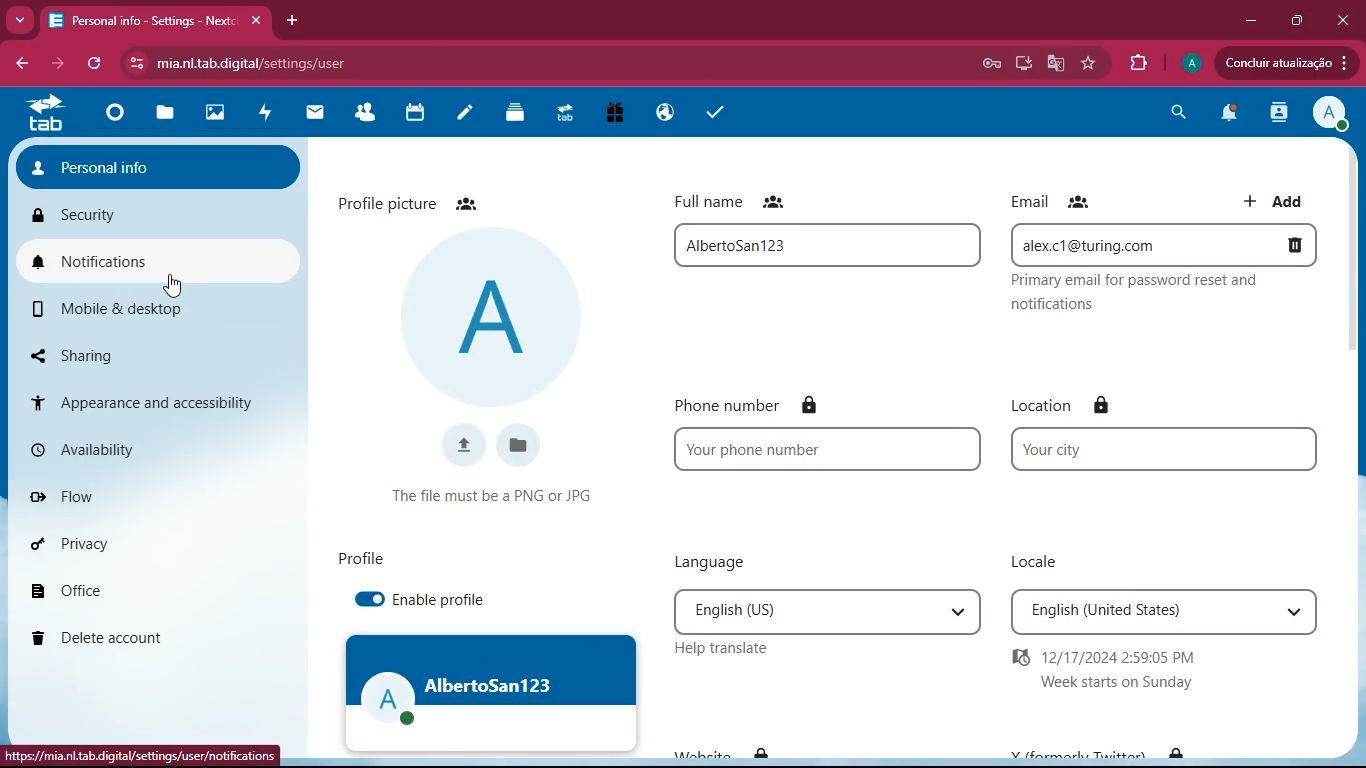 The height and width of the screenshot is (768, 1366). I want to click on The file must be a PNG or JPG, so click(492, 496).